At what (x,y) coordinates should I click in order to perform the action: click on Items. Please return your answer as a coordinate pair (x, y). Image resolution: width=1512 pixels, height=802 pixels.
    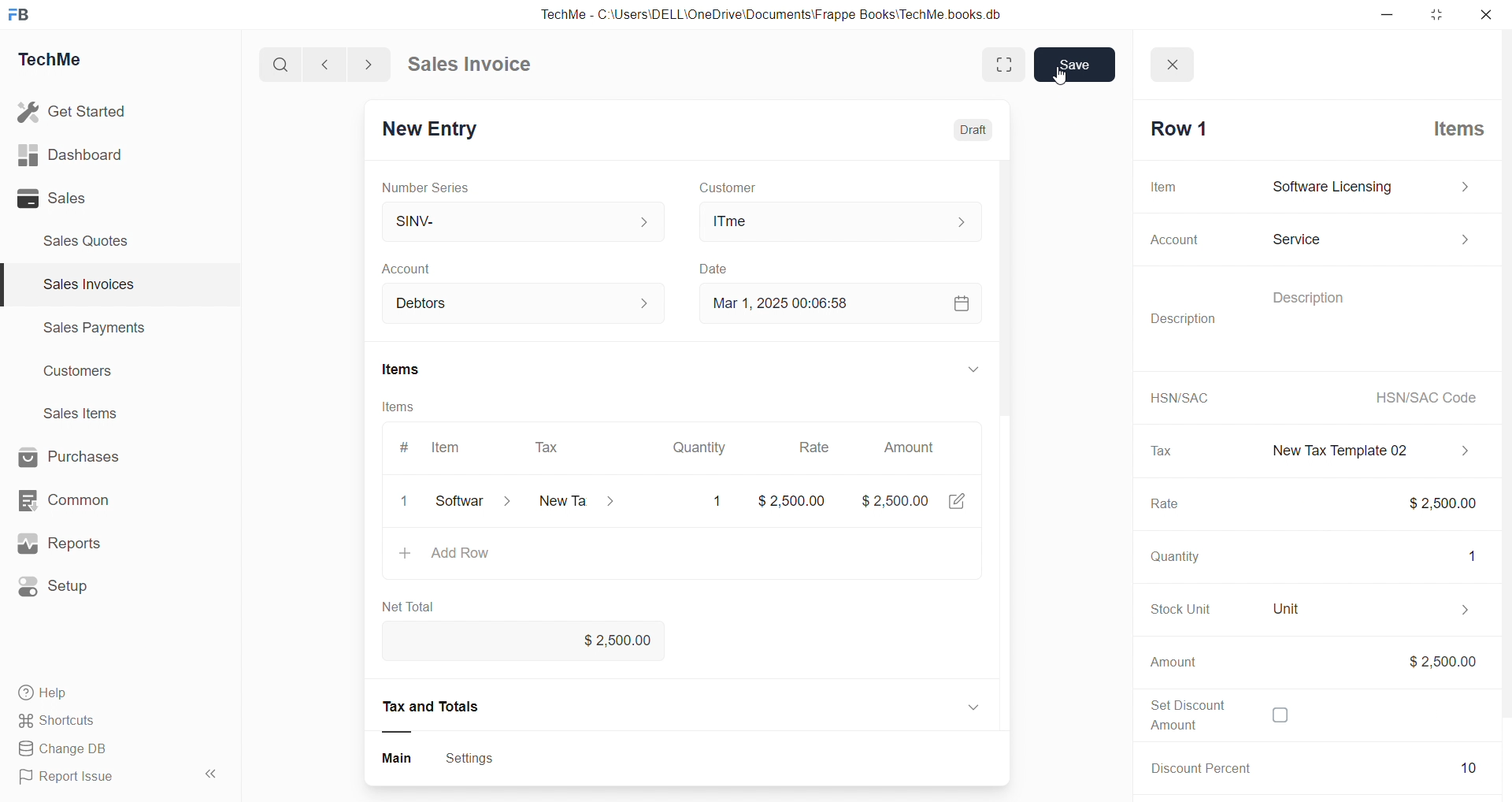
    Looking at the image, I should click on (409, 366).